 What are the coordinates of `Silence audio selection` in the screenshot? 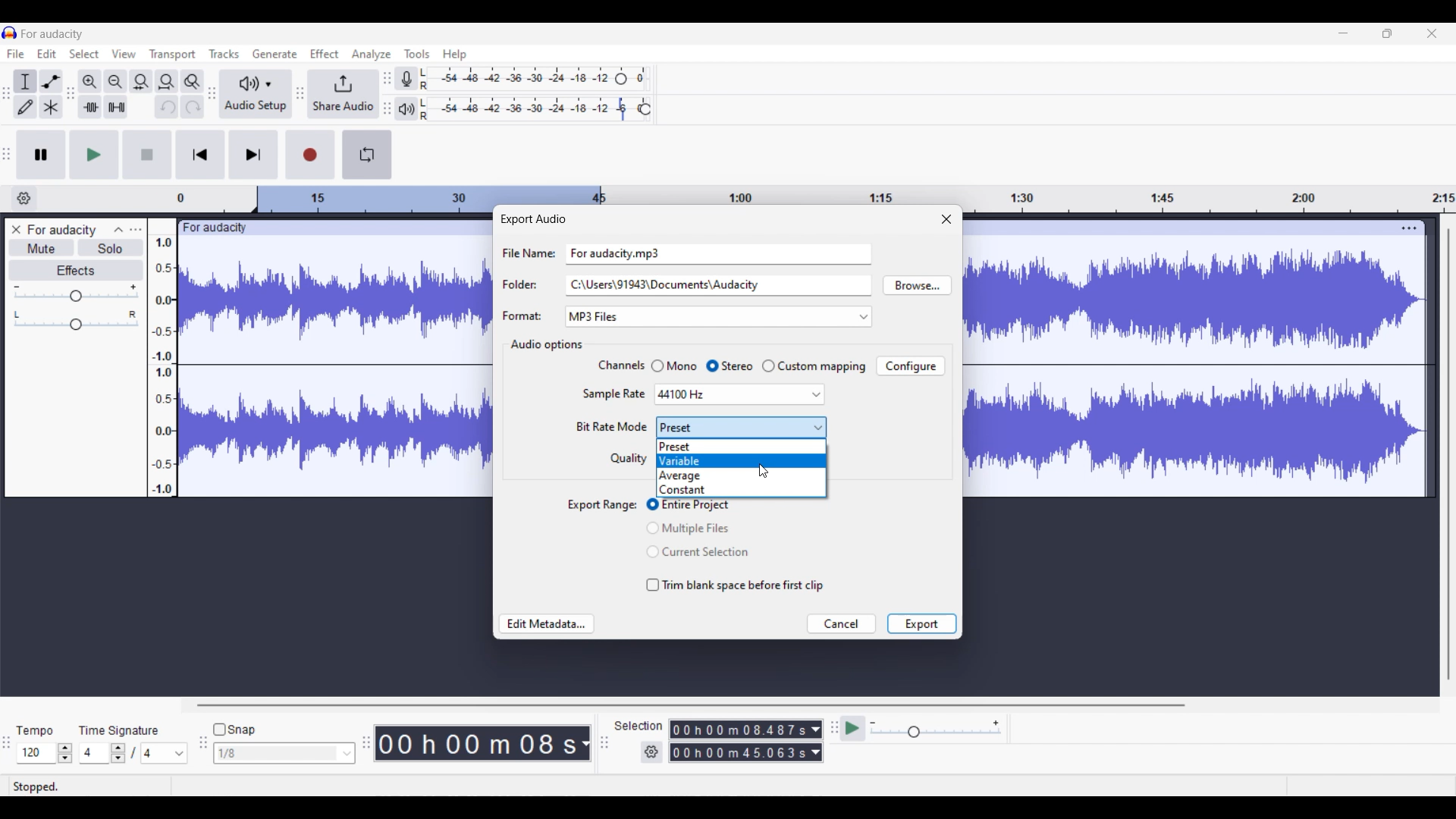 It's located at (117, 107).